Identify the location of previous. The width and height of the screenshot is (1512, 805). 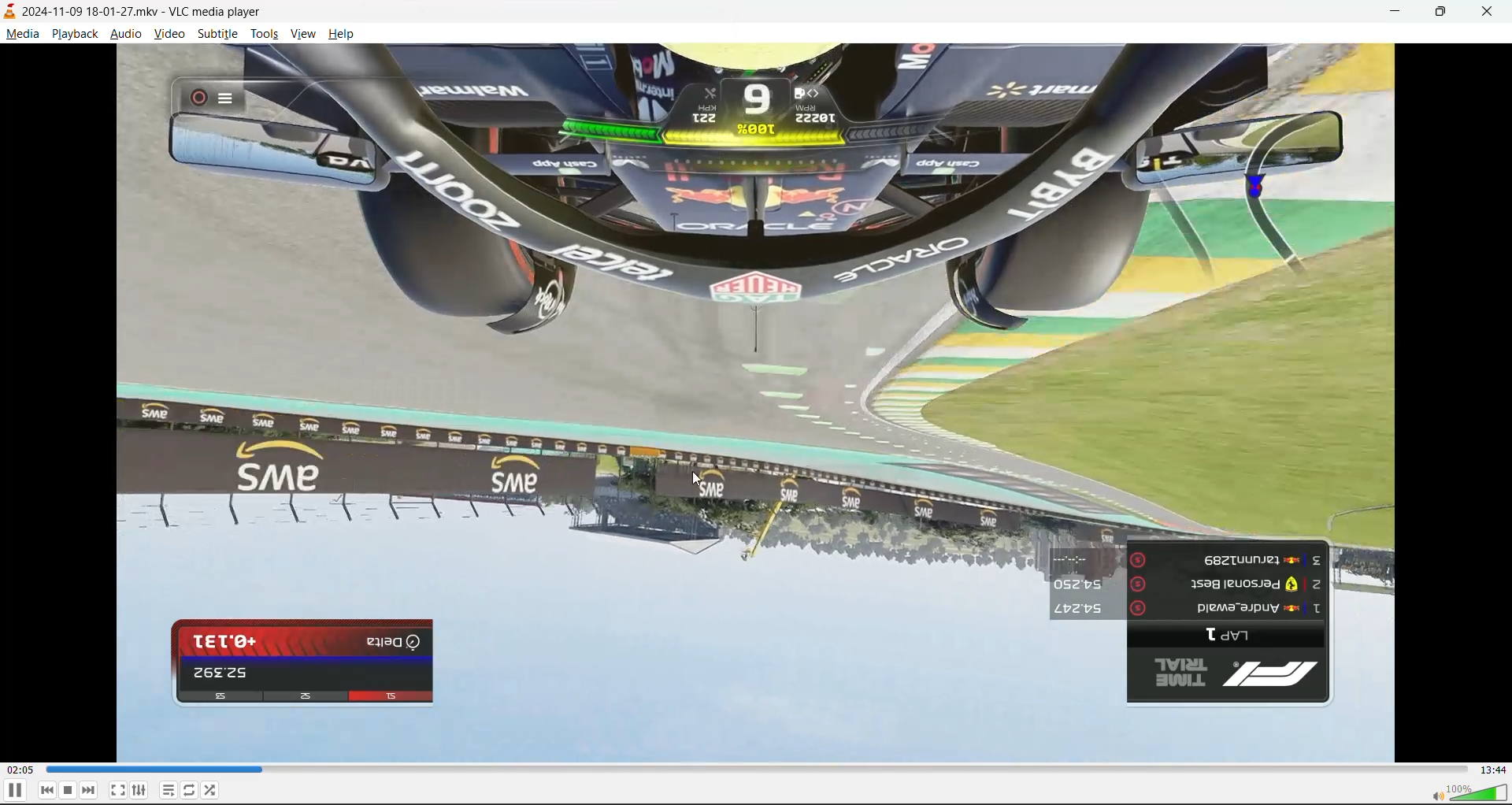
(48, 790).